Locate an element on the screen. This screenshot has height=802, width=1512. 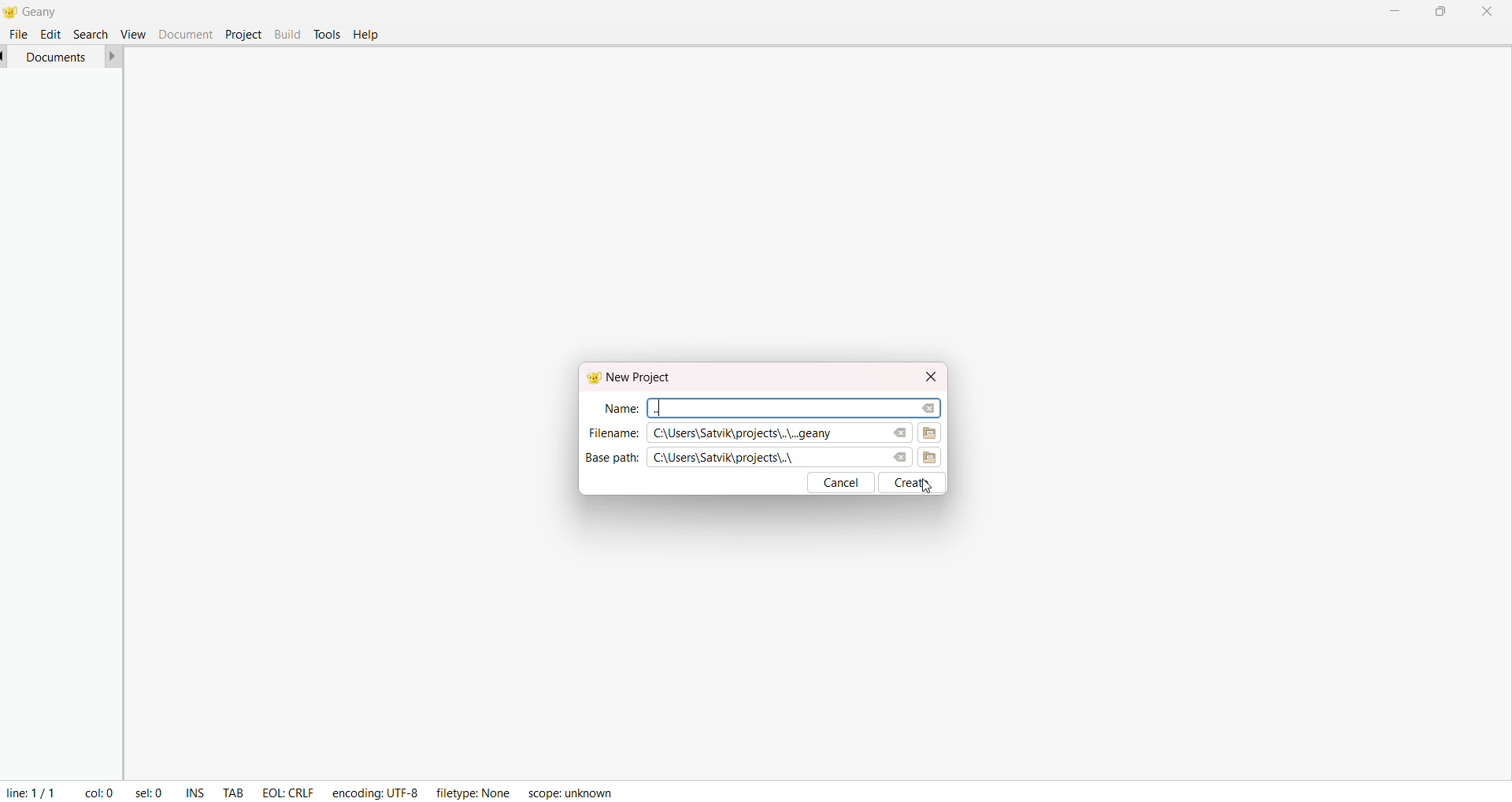
minimize is located at coordinates (1392, 9).